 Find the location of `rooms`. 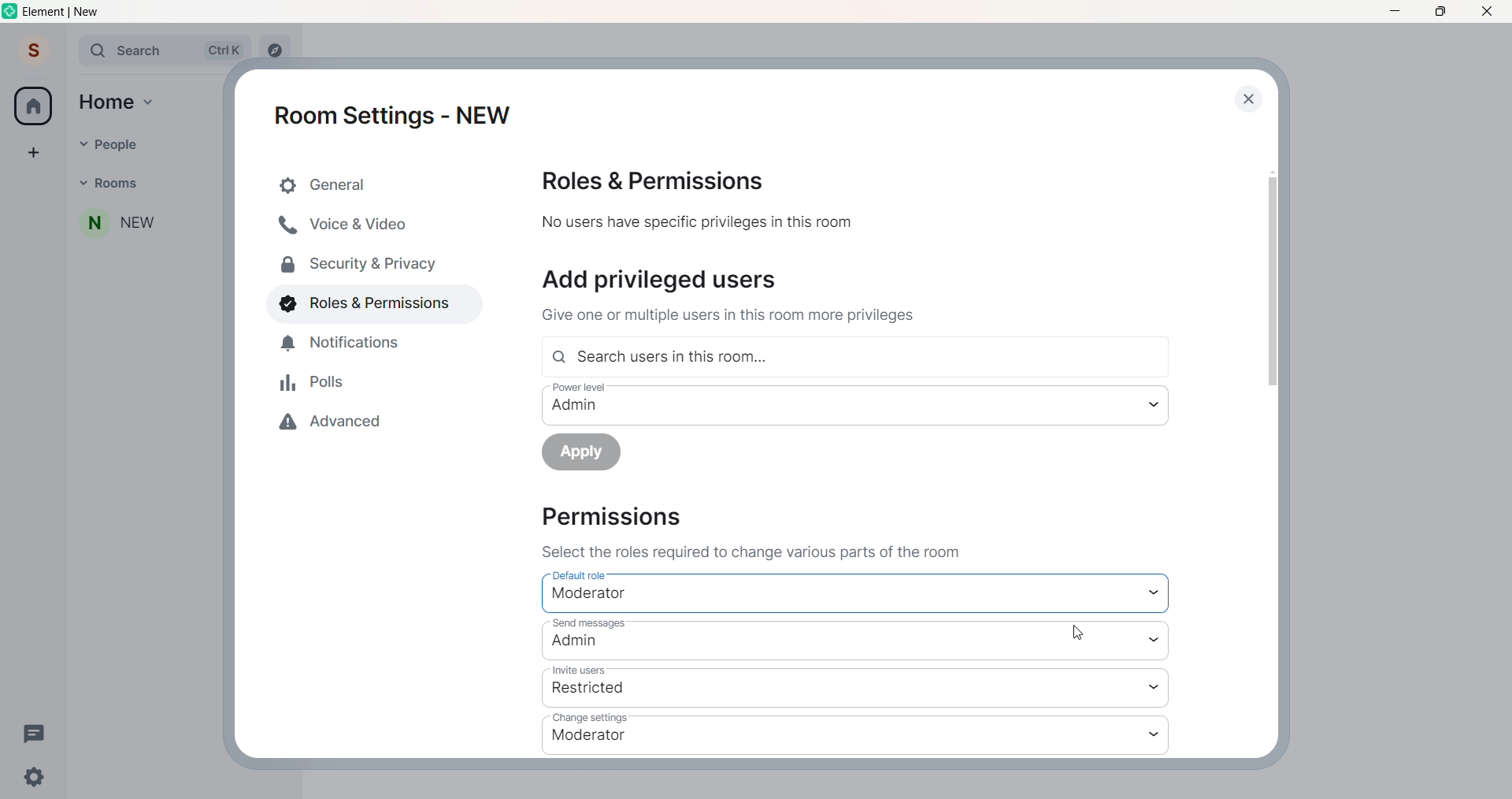

rooms is located at coordinates (114, 185).